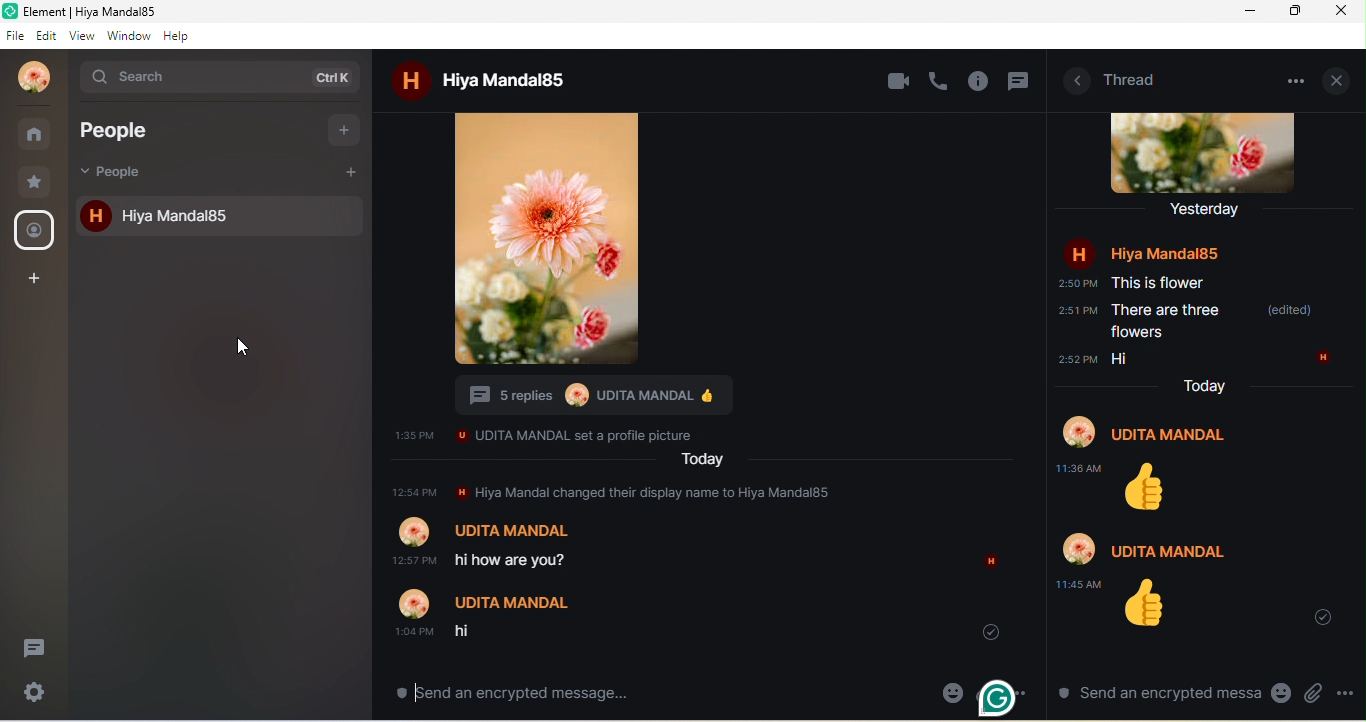 The width and height of the screenshot is (1366, 722). What do you see at coordinates (129, 35) in the screenshot?
I see `window` at bounding box center [129, 35].